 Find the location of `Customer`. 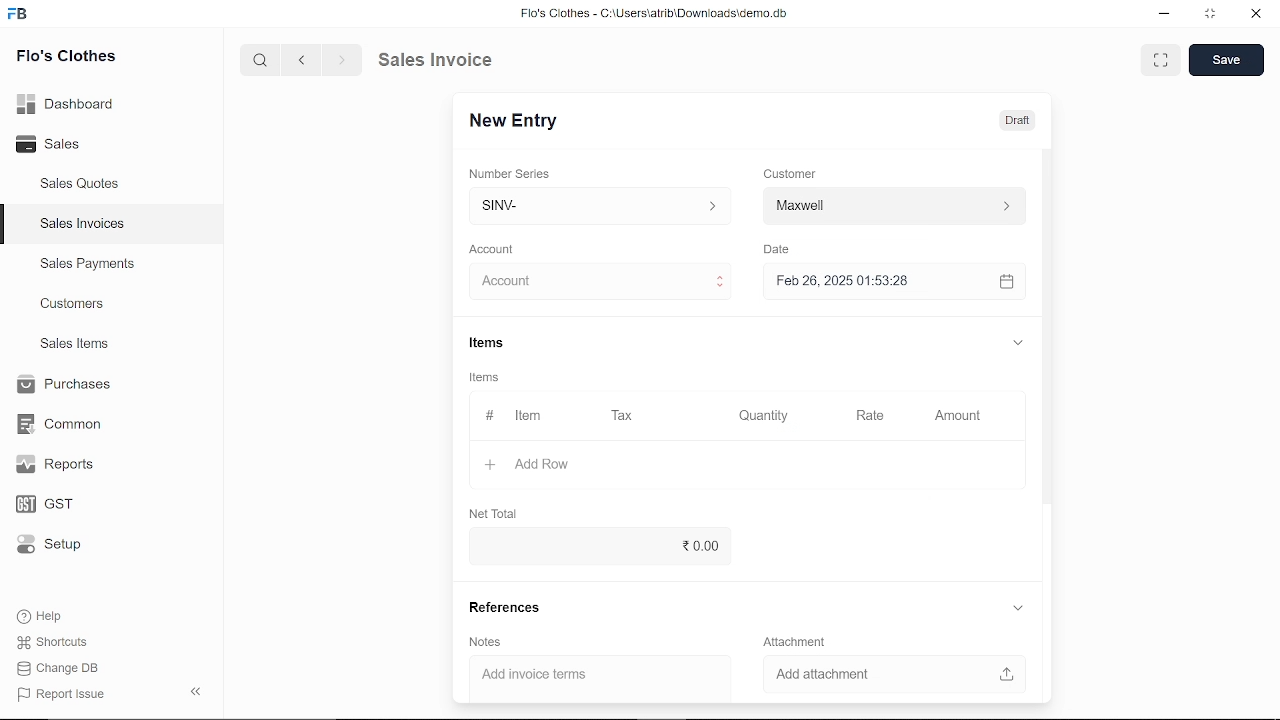

Customer is located at coordinates (792, 173).